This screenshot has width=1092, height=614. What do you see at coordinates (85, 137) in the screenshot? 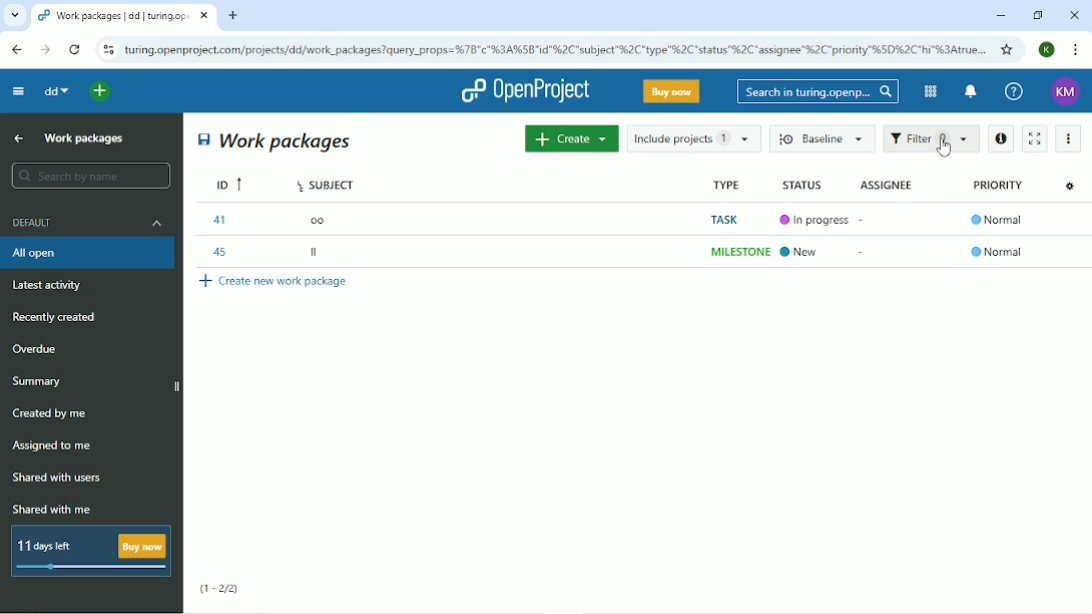
I see `Work packages` at bounding box center [85, 137].